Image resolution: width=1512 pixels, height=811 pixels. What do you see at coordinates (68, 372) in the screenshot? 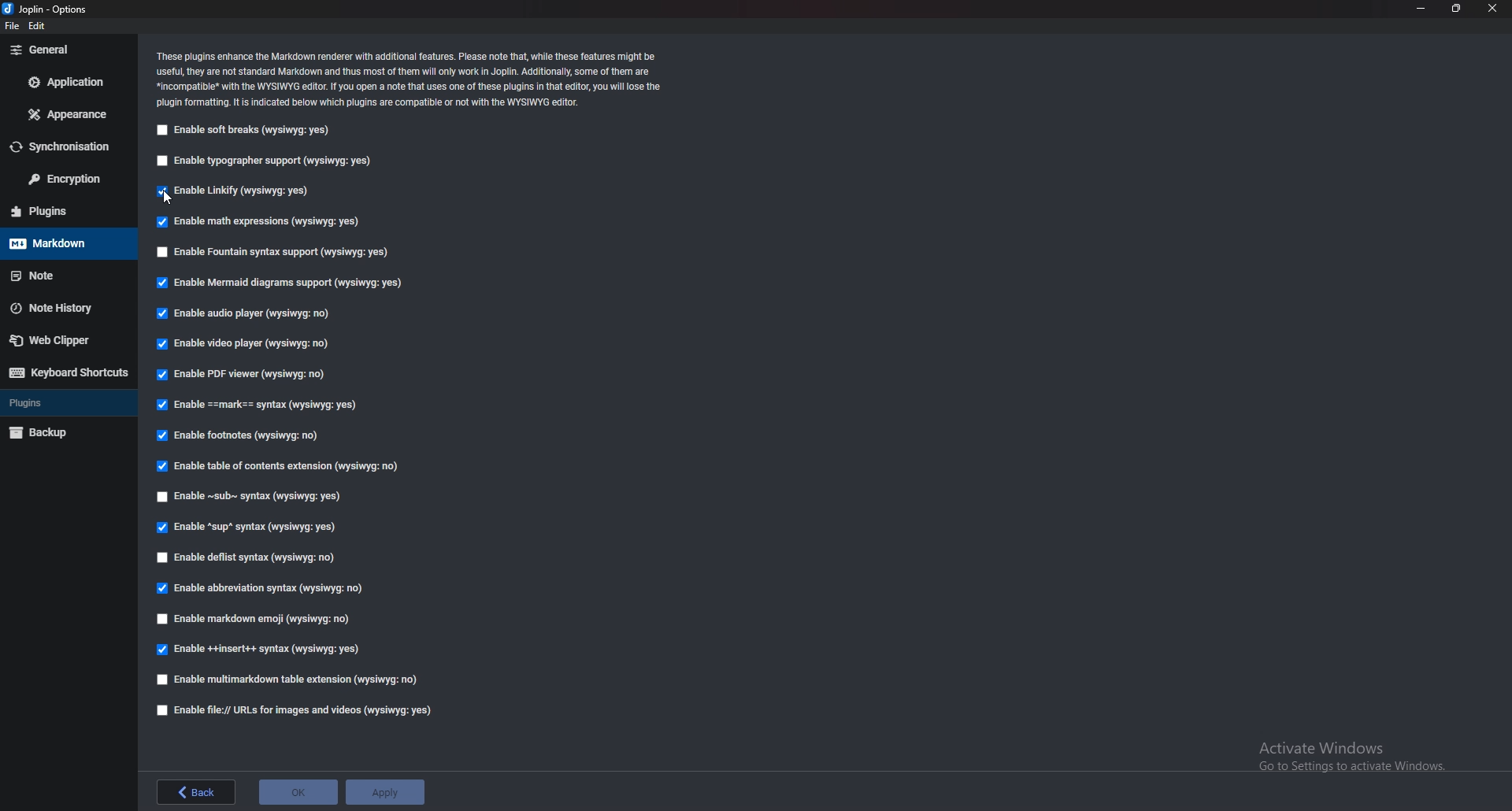
I see `Keyboard shortcuts` at bounding box center [68, 372].